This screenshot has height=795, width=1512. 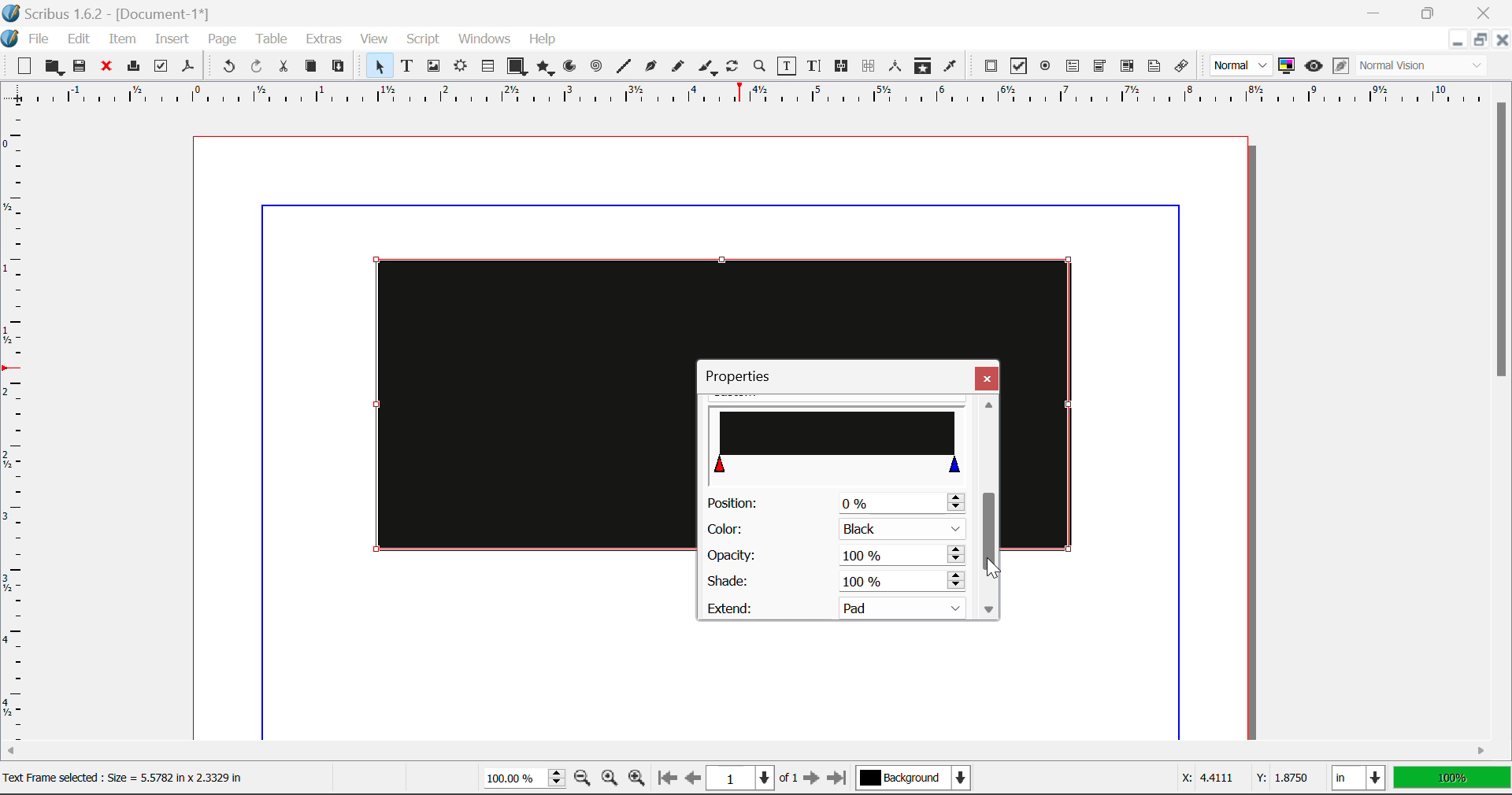 What do you see at coordinates (424, 39) in the screenshot?
I see `Script` at bounding box center [424, 39].